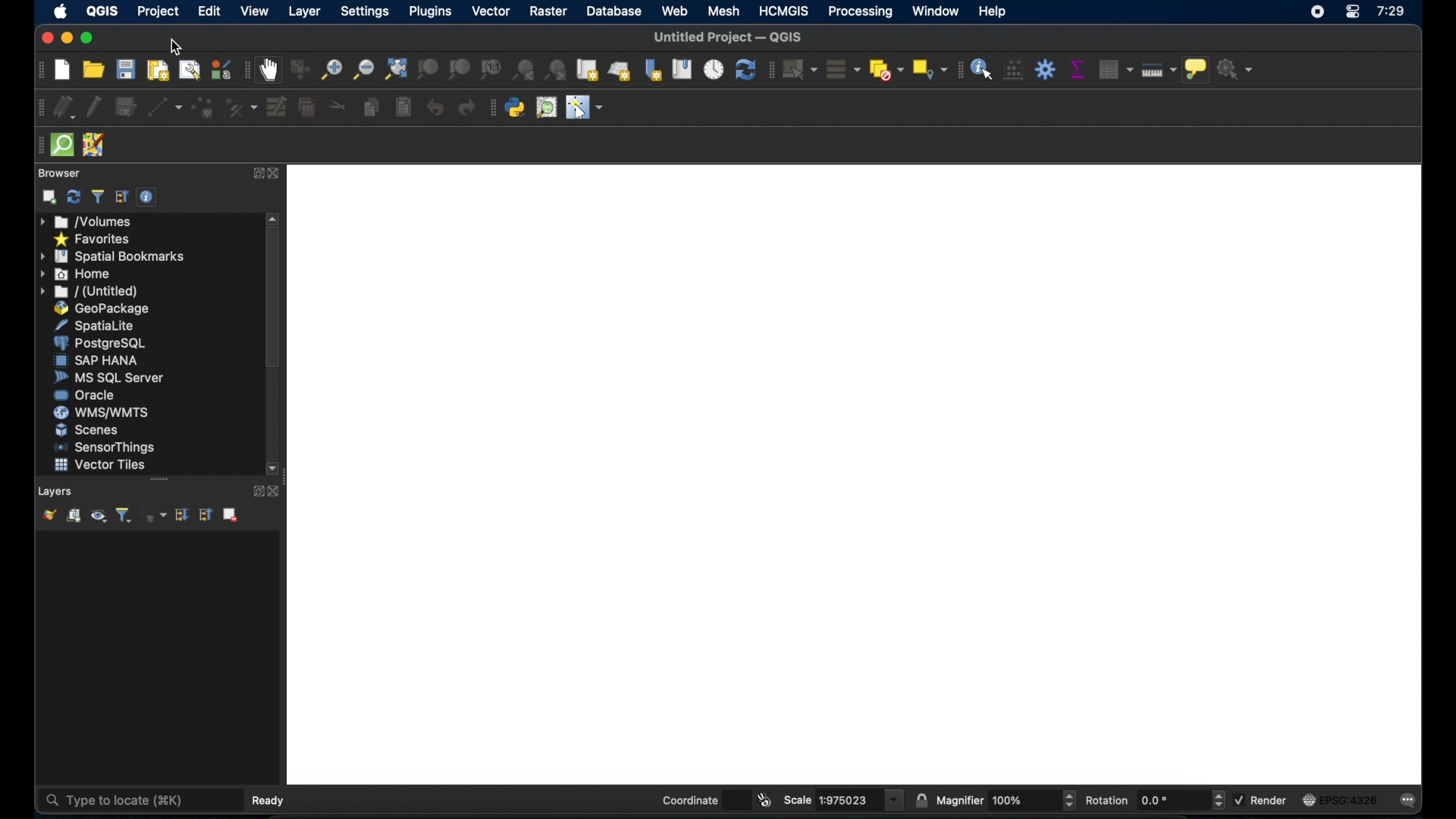 The height and width of the screenshot is (819, 1456). Describe the element at coordinates (154, 516) in the screenshot. I see `filter legend by expression` at that location.